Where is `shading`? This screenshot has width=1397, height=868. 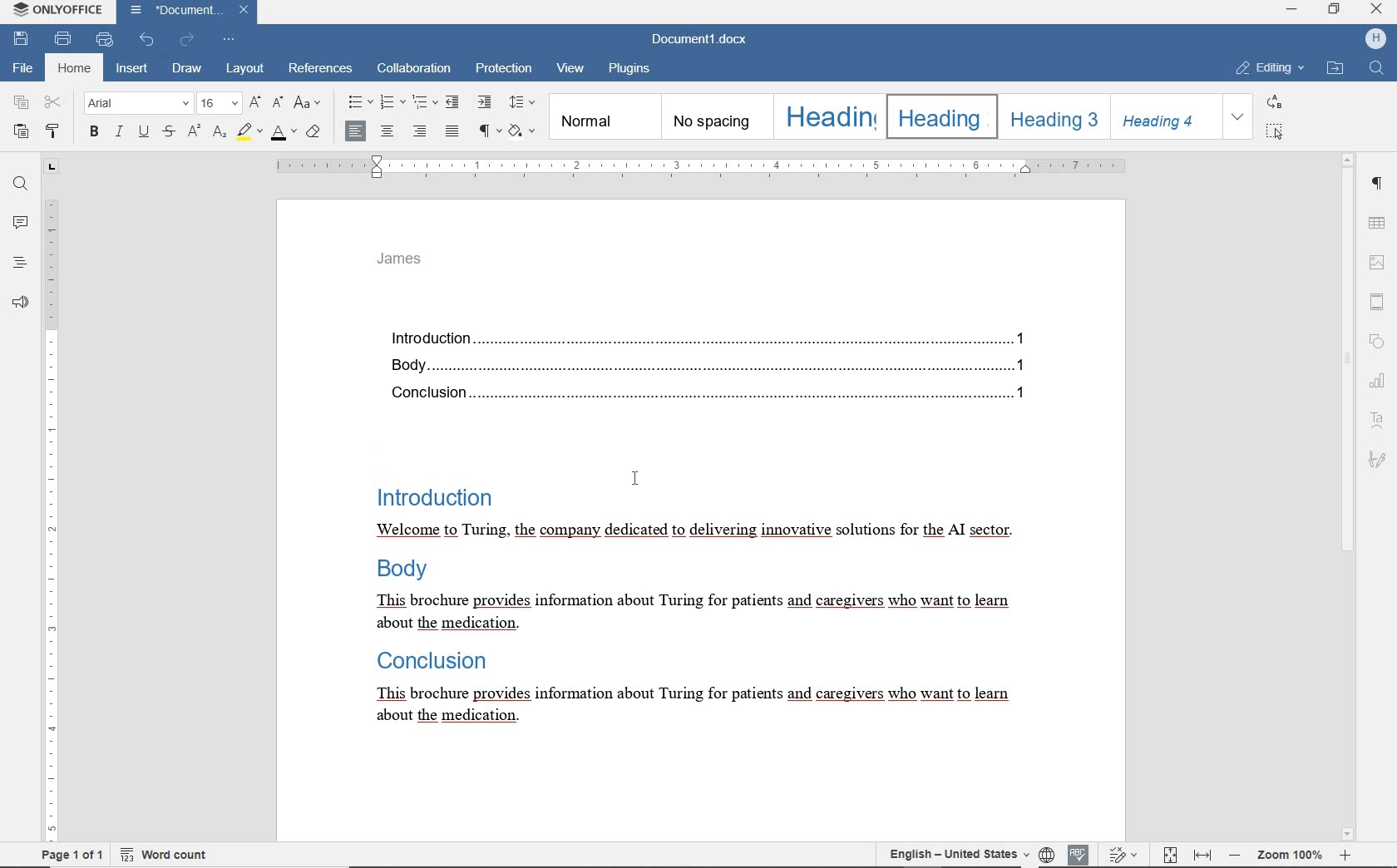
shading is located at coordinates (525, 131).